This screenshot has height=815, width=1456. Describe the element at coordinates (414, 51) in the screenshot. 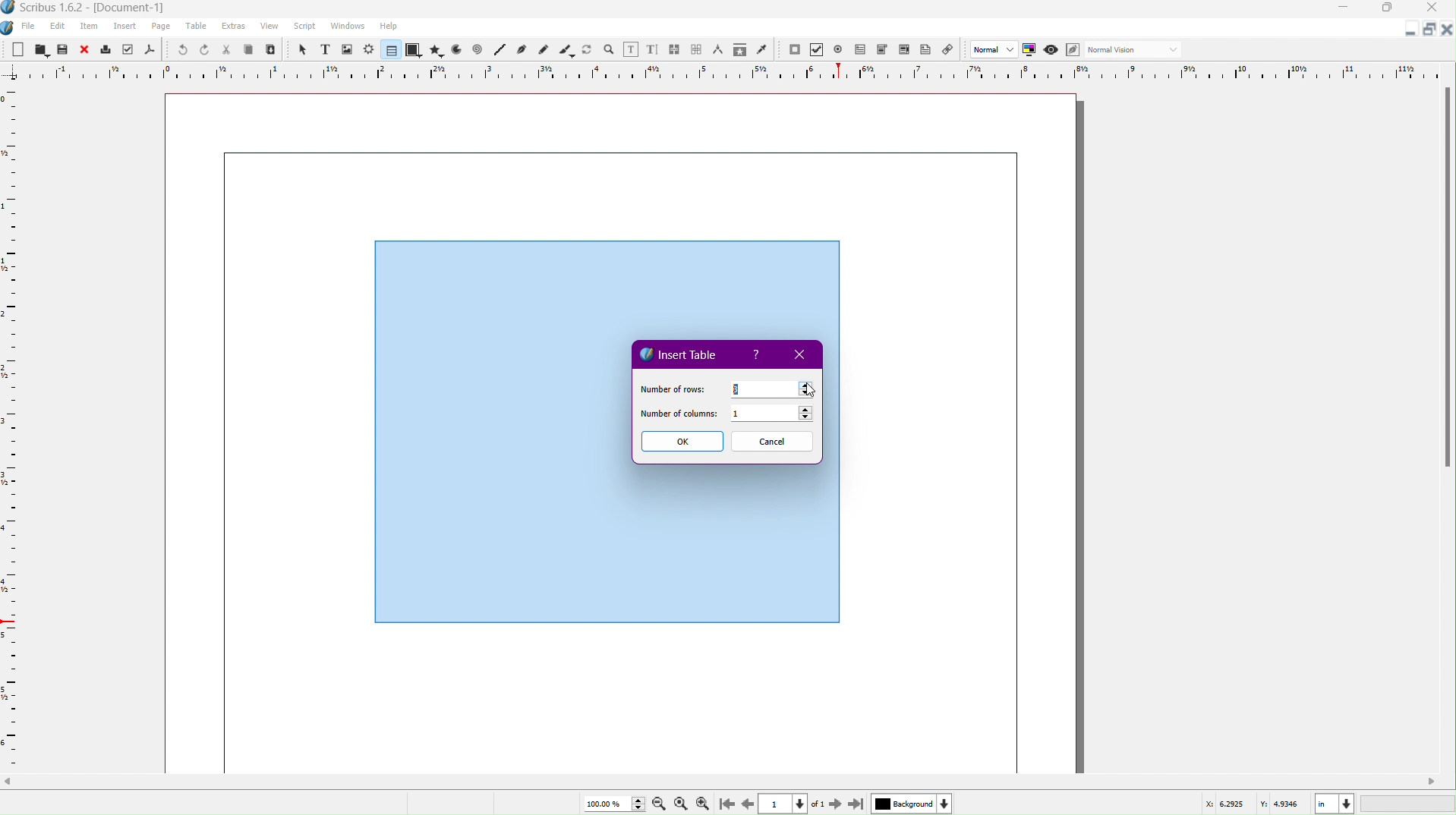

I see `Shape` at that location.